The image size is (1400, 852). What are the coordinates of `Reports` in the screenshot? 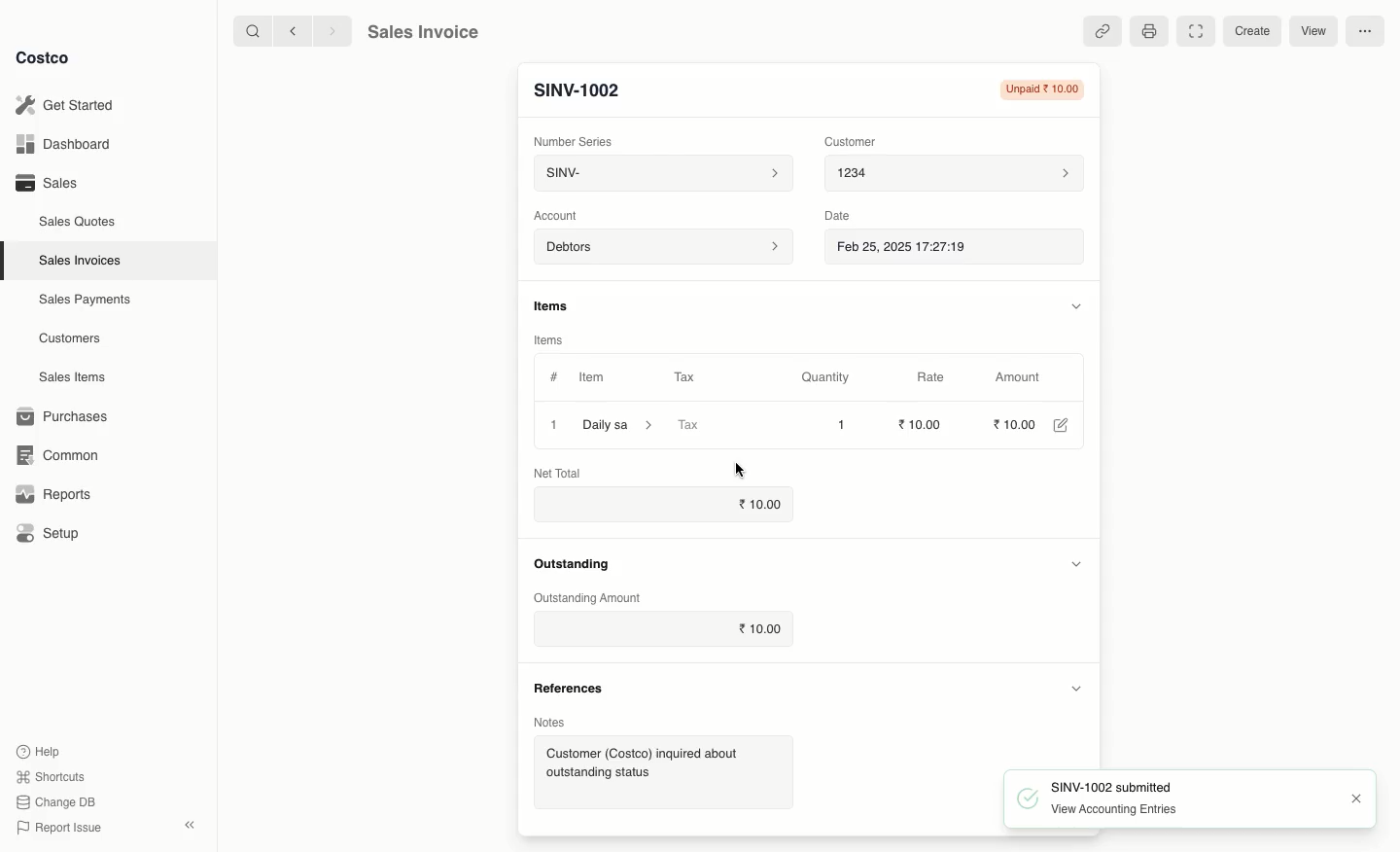 It's located at (53, 496).